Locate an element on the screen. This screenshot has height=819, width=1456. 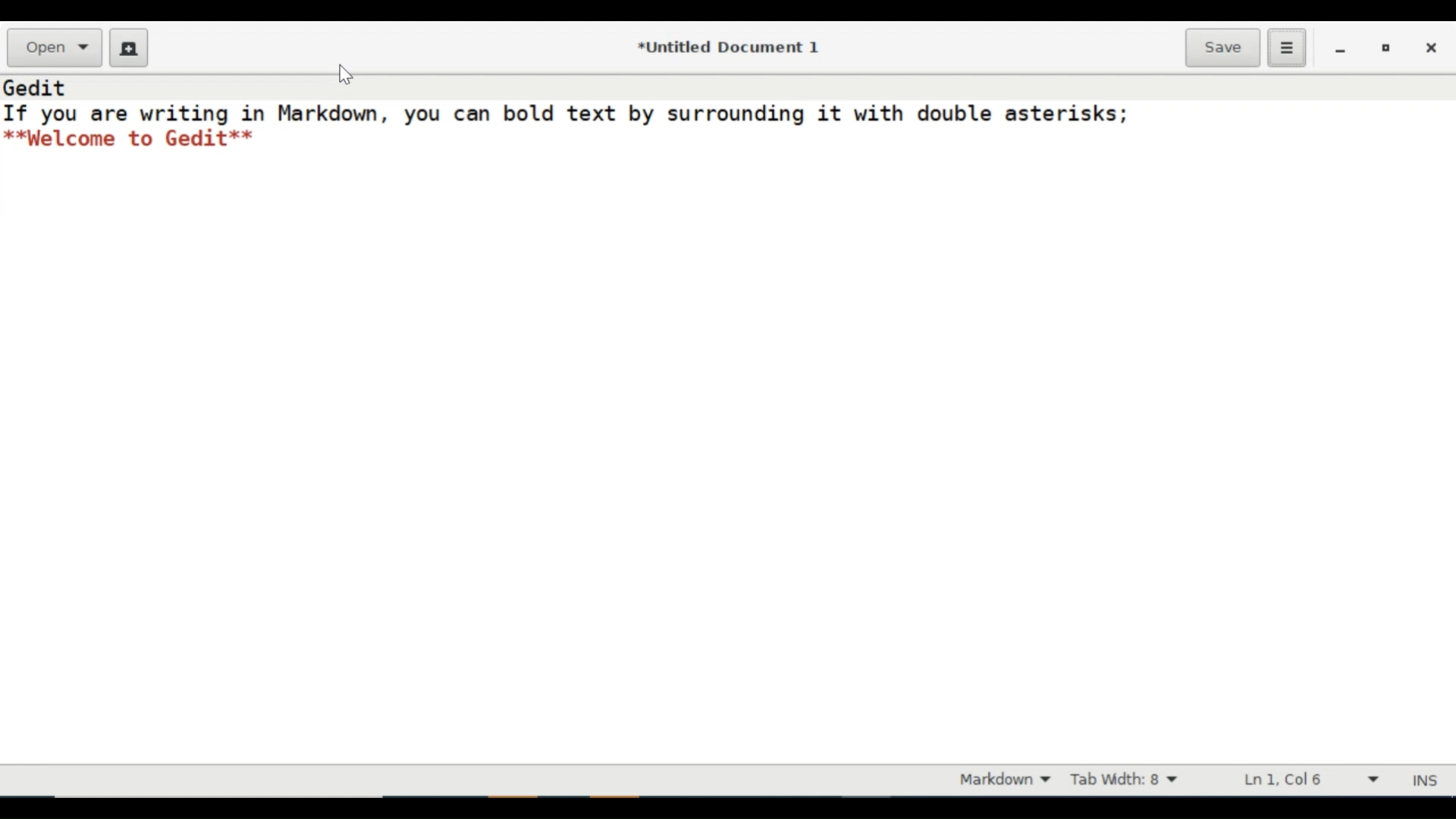
restore is located at coordinates (1391, 48).